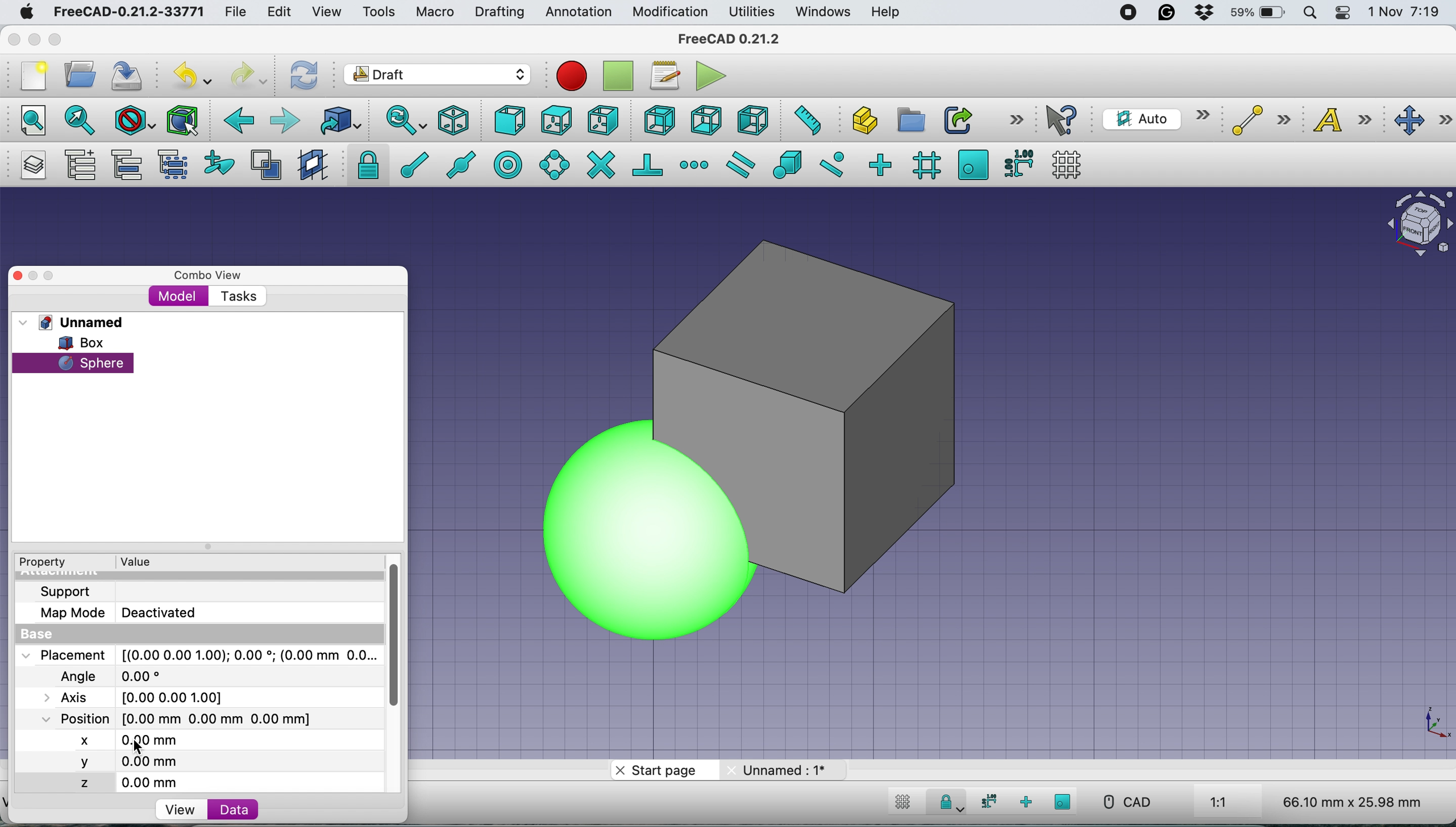 Image resolution: width=1456 pixels, height=827 pixels. Describe the element at coordinates (861, 122) in the screenshot. I see `create part` at that location.